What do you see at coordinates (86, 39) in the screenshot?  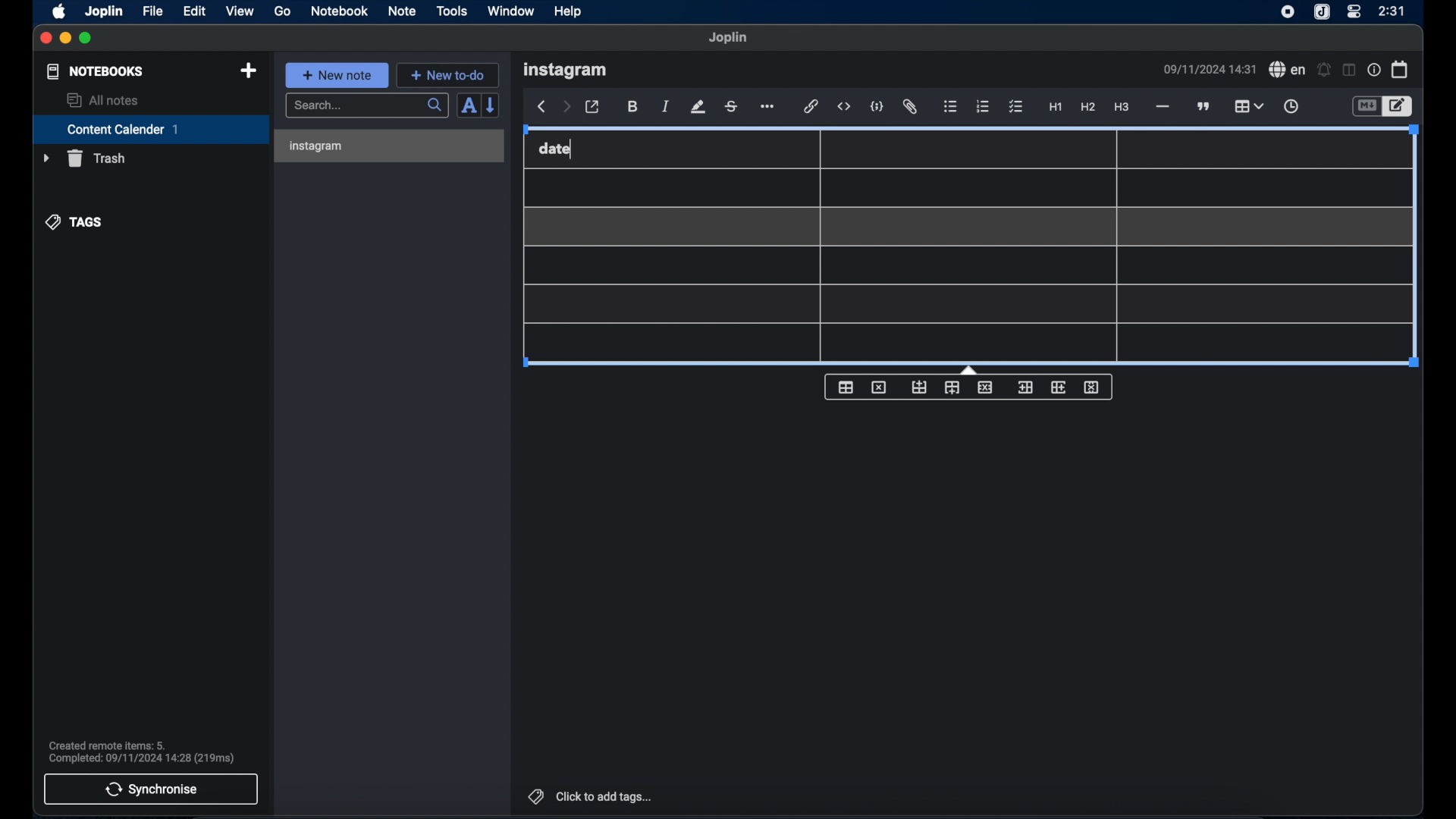 I see `maximize` at bounding box center [86, 39].